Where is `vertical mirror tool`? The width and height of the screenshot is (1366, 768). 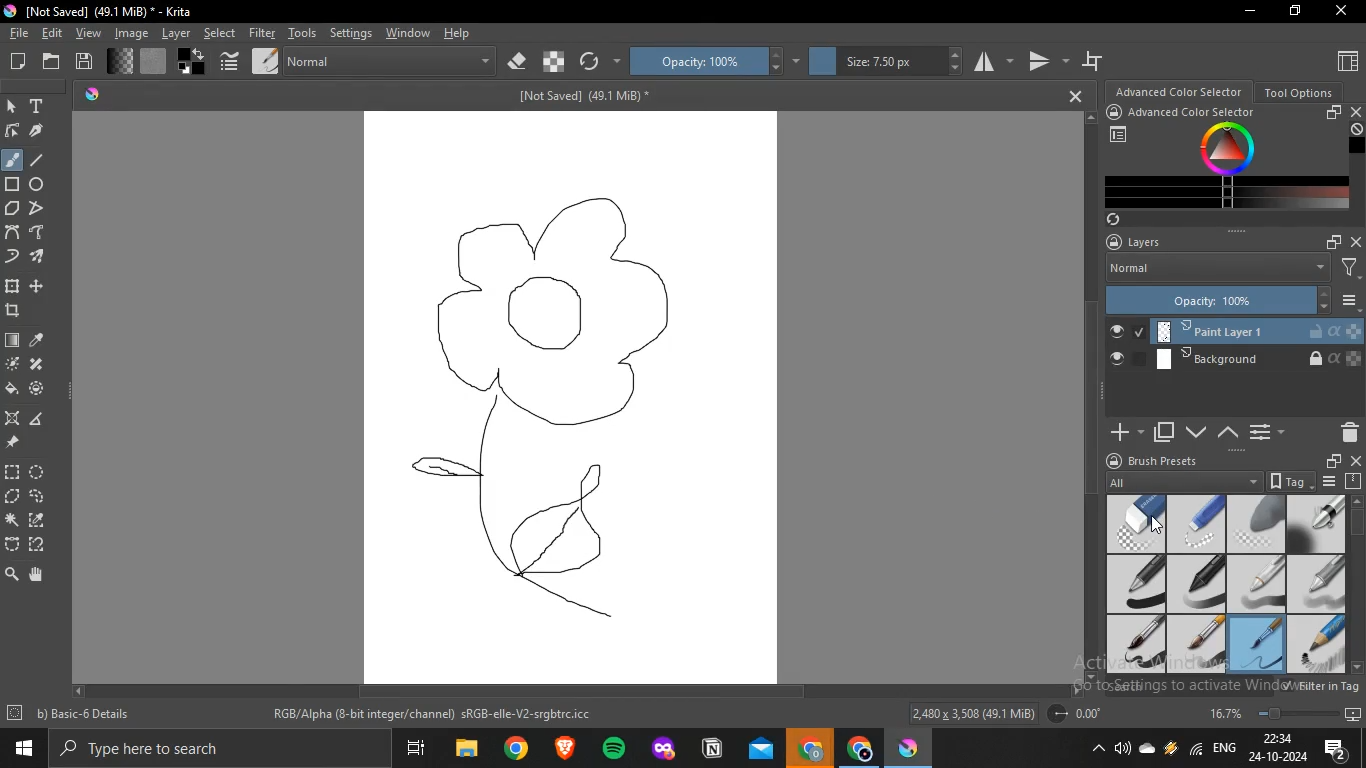
vertical mirror tool is located at coordinates (1045, 65).